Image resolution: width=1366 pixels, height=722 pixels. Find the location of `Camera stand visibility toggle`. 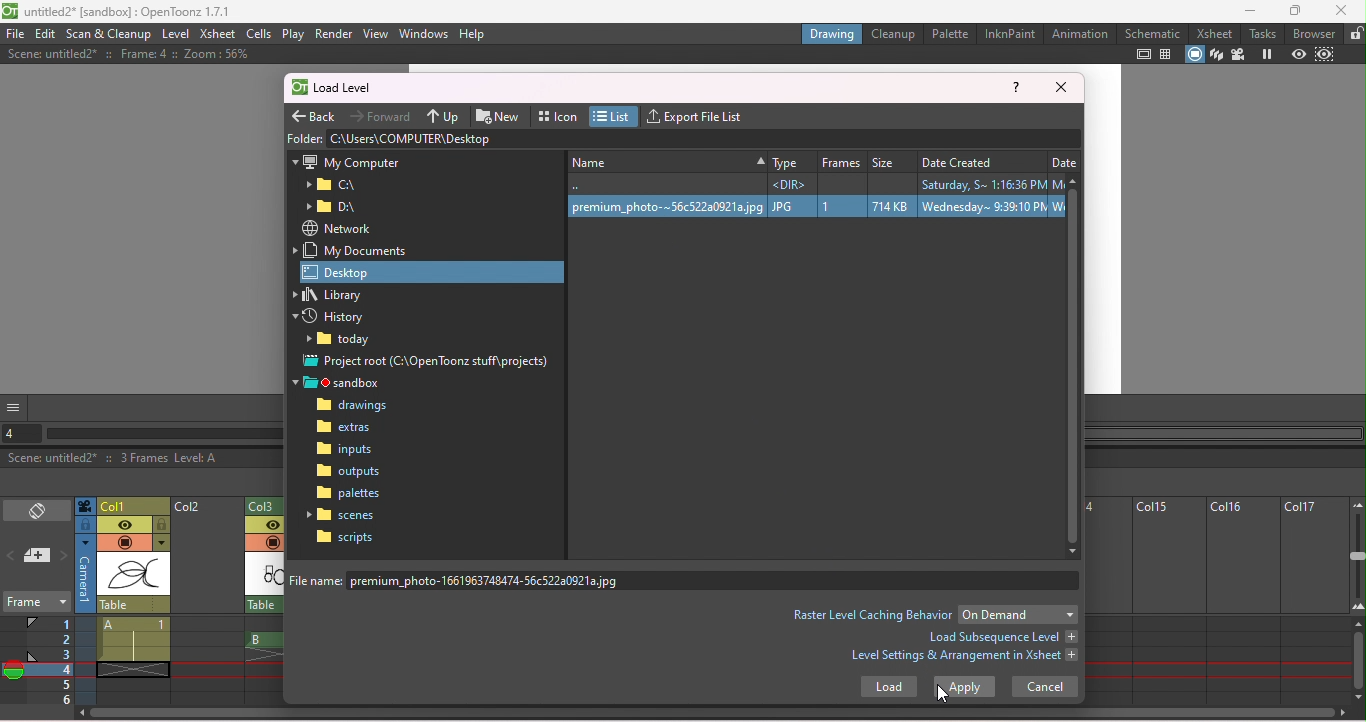

Camera stand visibility toggle is located at coordinates (124, 543).